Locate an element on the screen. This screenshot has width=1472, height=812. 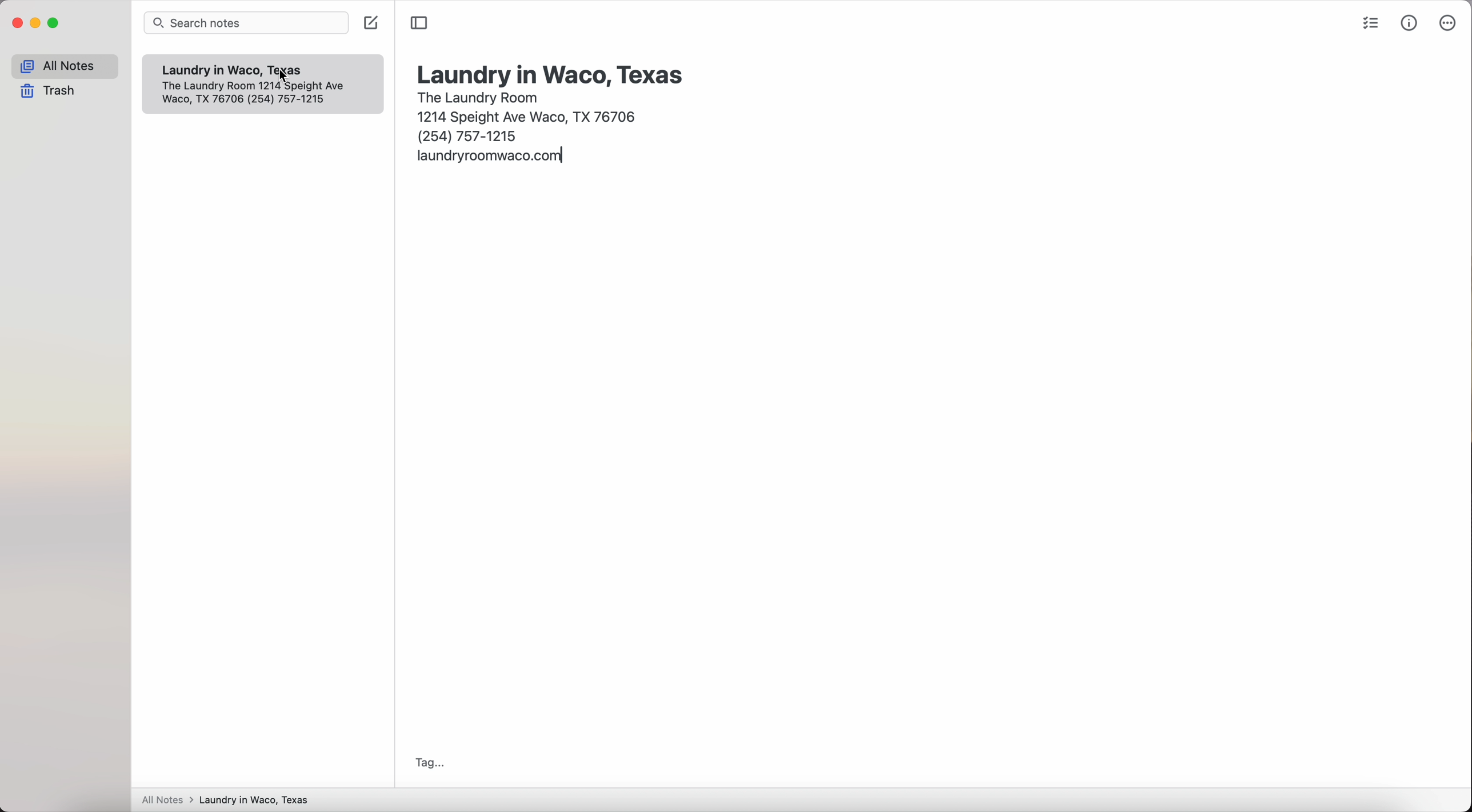
click on create note is located at coordinates (373, 23).